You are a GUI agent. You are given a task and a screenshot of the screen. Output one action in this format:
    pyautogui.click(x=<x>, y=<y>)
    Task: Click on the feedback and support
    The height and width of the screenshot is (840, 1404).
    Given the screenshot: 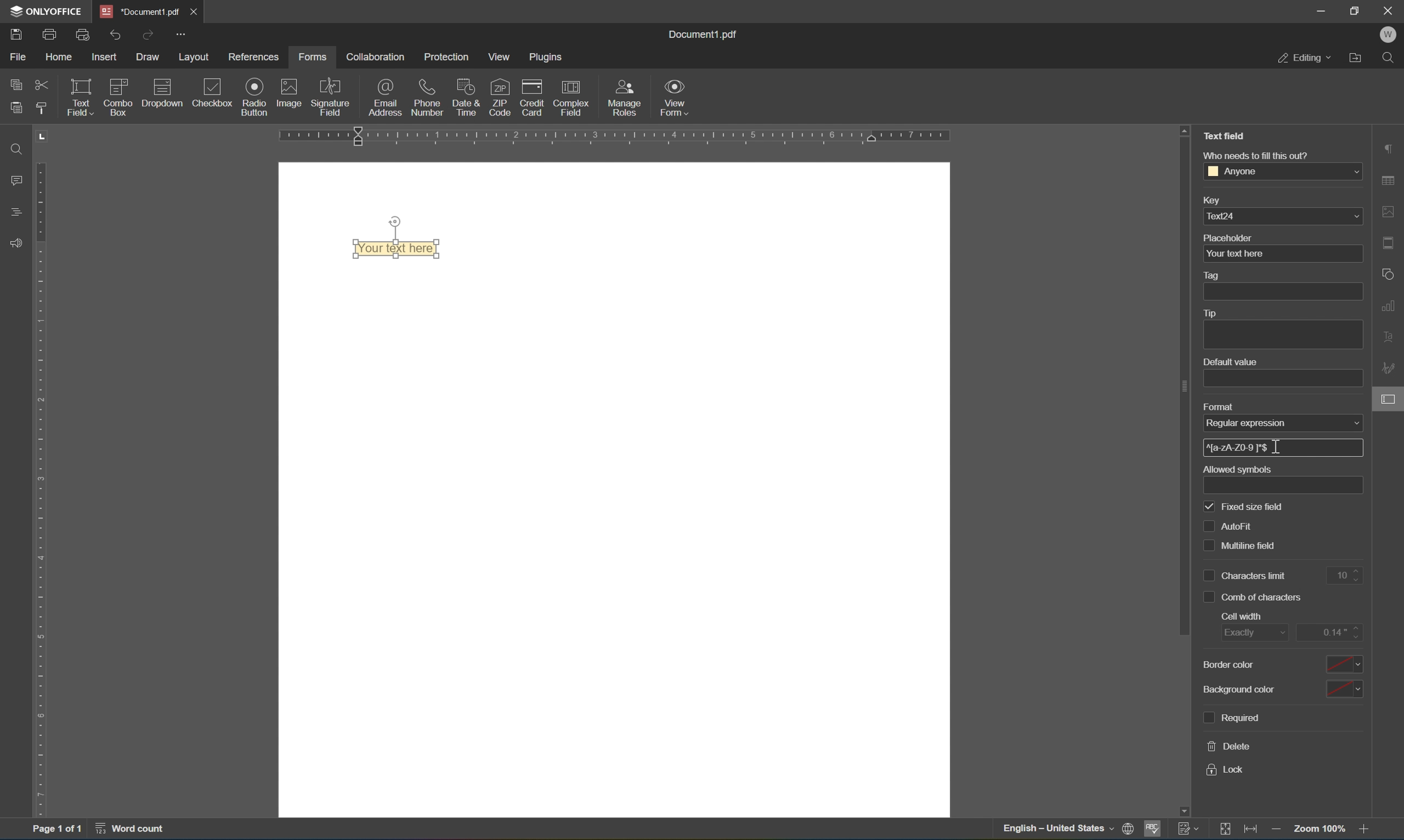 What is the action you would take?
    pyautogui.click(x=16, y=244)
    